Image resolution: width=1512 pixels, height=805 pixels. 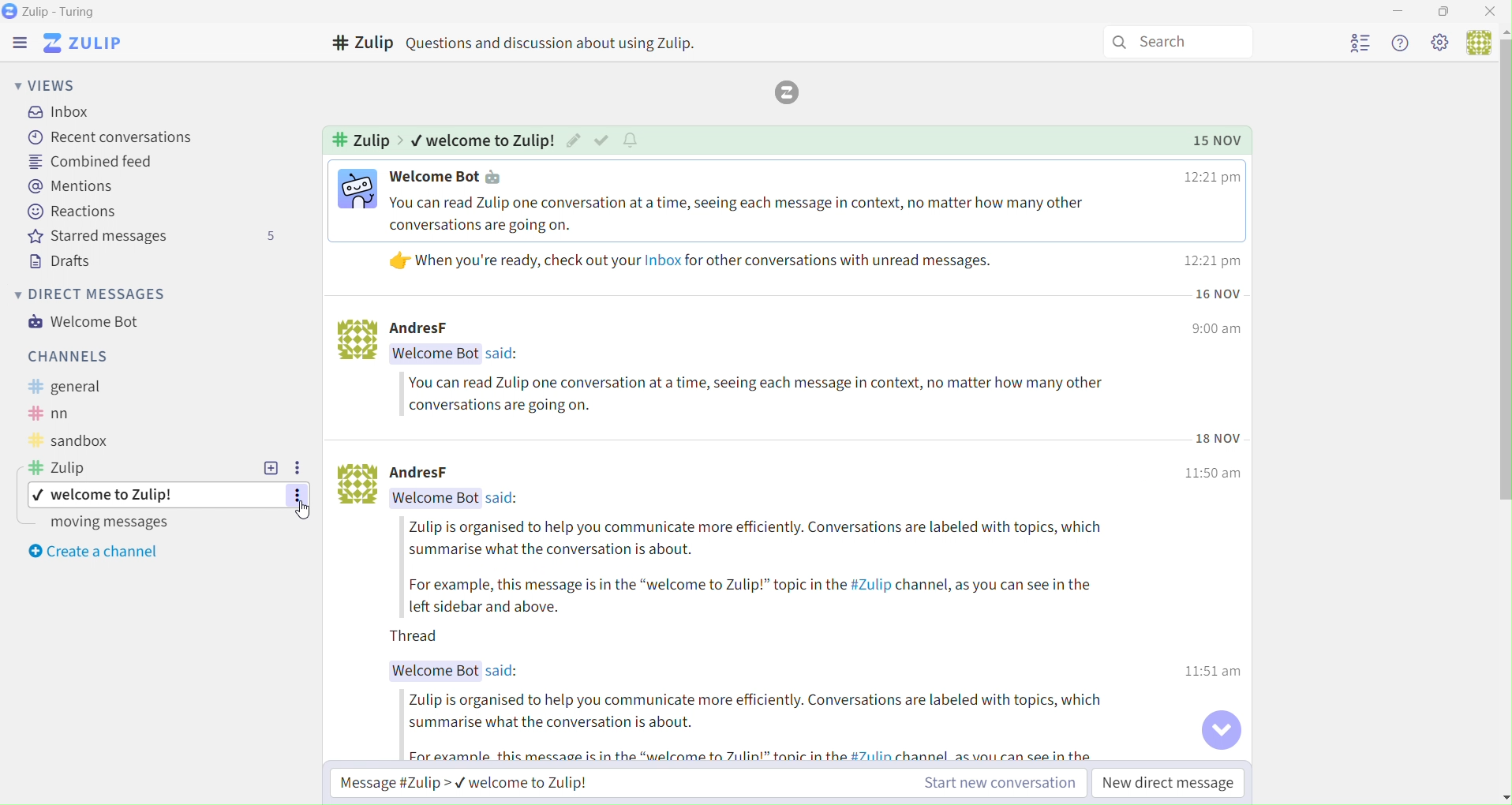 I want to click on Text, so click(x=485, y=140).